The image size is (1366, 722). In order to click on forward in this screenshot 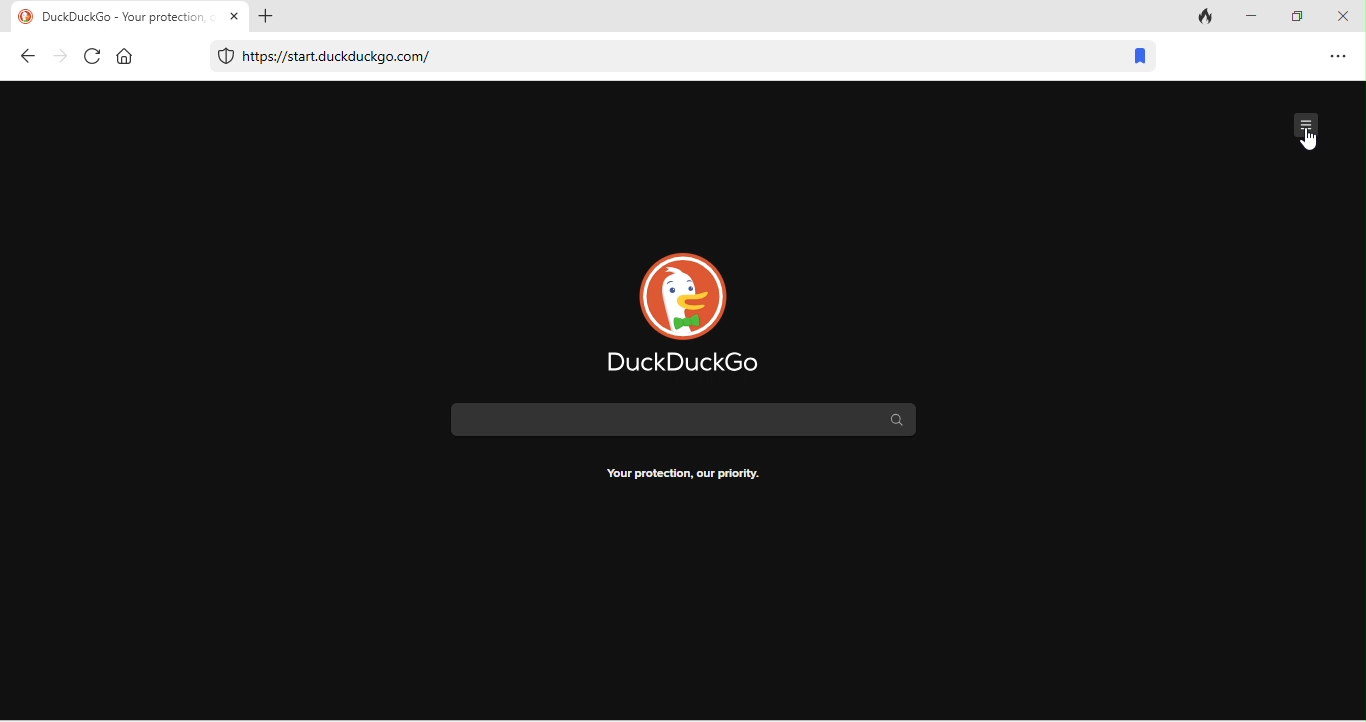, I will do `click(61, 57)`.